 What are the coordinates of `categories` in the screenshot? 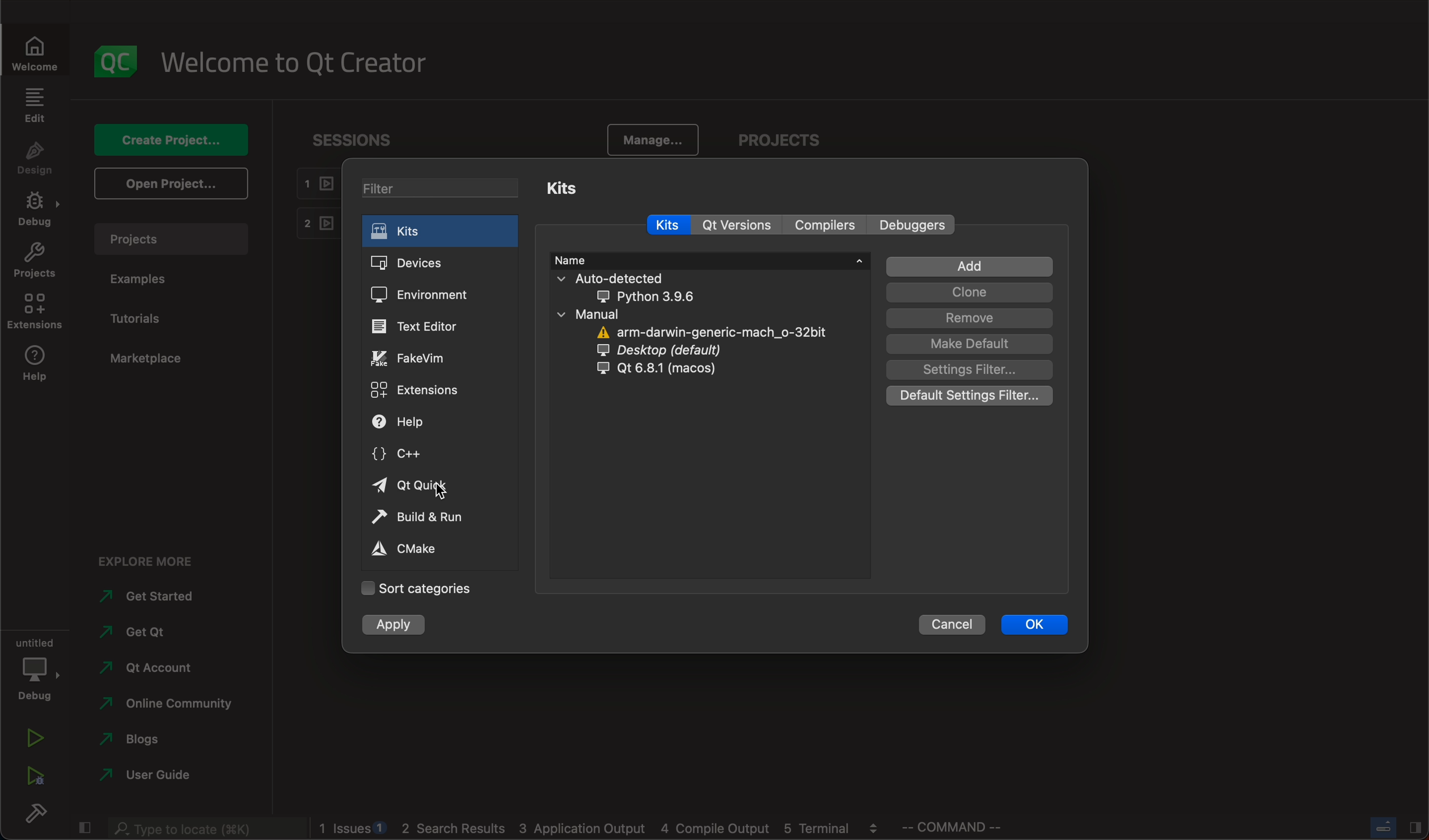 It's located at (422, 589).